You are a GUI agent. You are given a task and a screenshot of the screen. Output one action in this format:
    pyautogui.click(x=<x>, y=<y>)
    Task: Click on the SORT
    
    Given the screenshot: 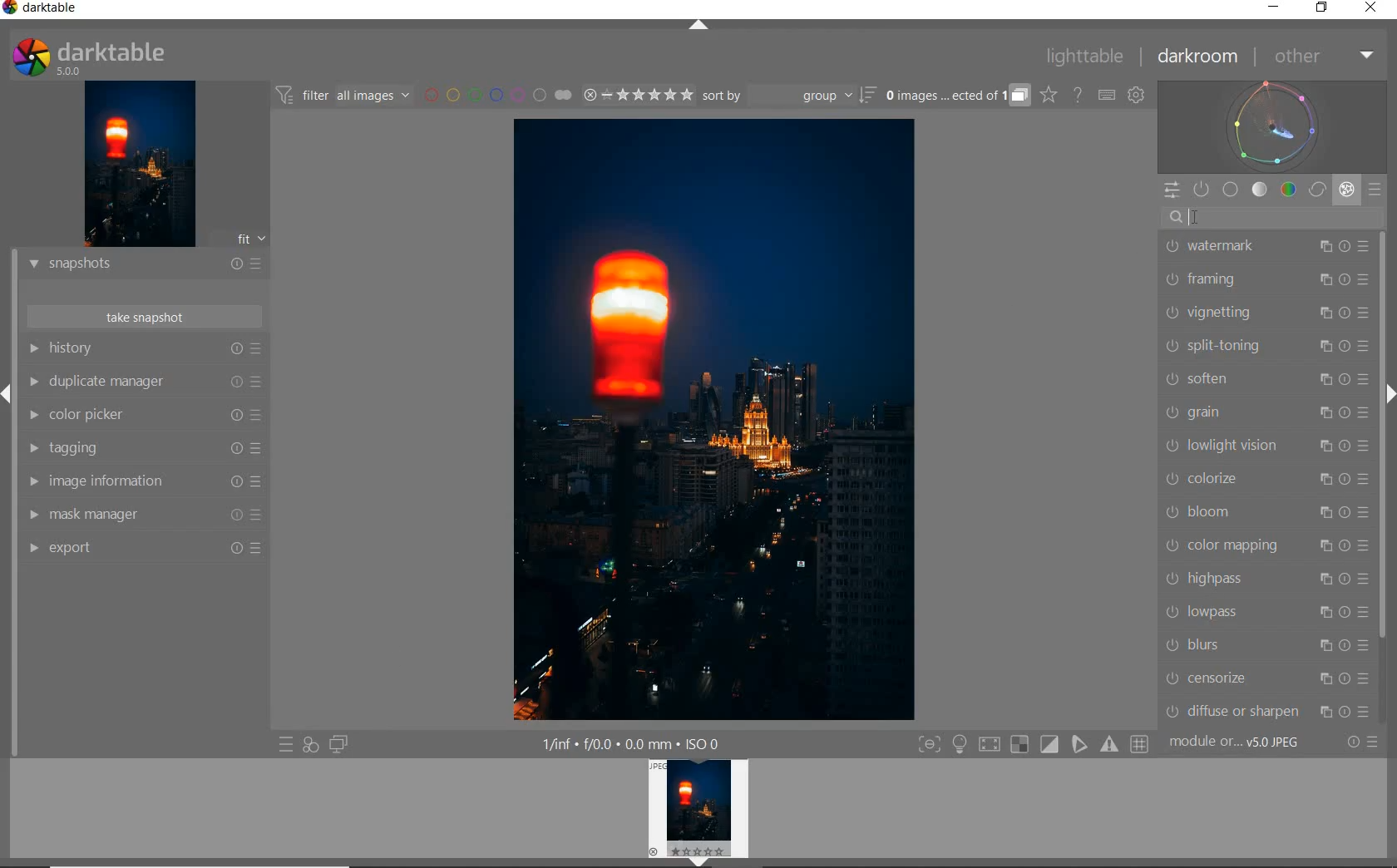 What is the action you would take?
    pyautogui.click(x=787, y=97)
    